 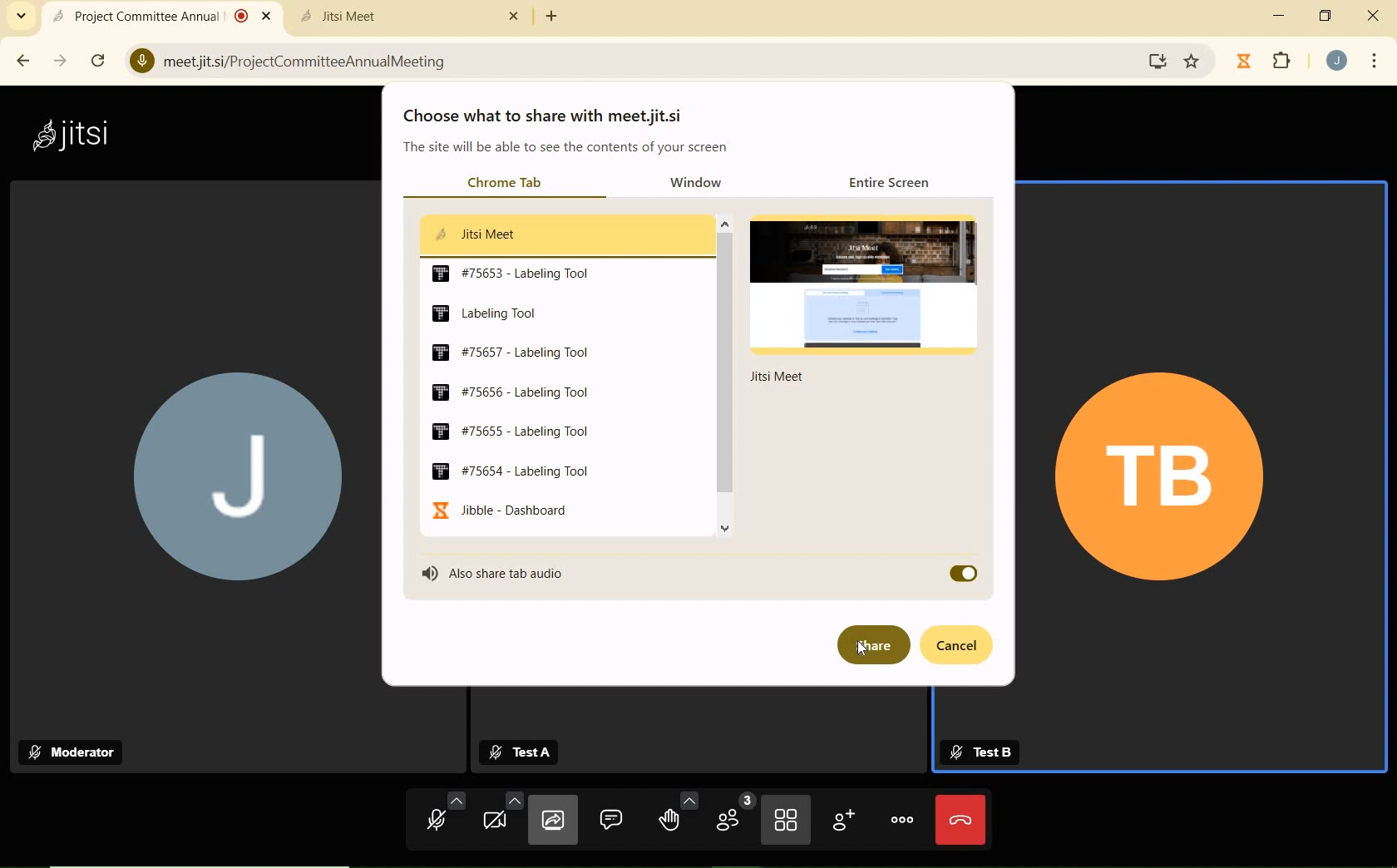 I want to click on minimize, so click(x=1279, y=16).